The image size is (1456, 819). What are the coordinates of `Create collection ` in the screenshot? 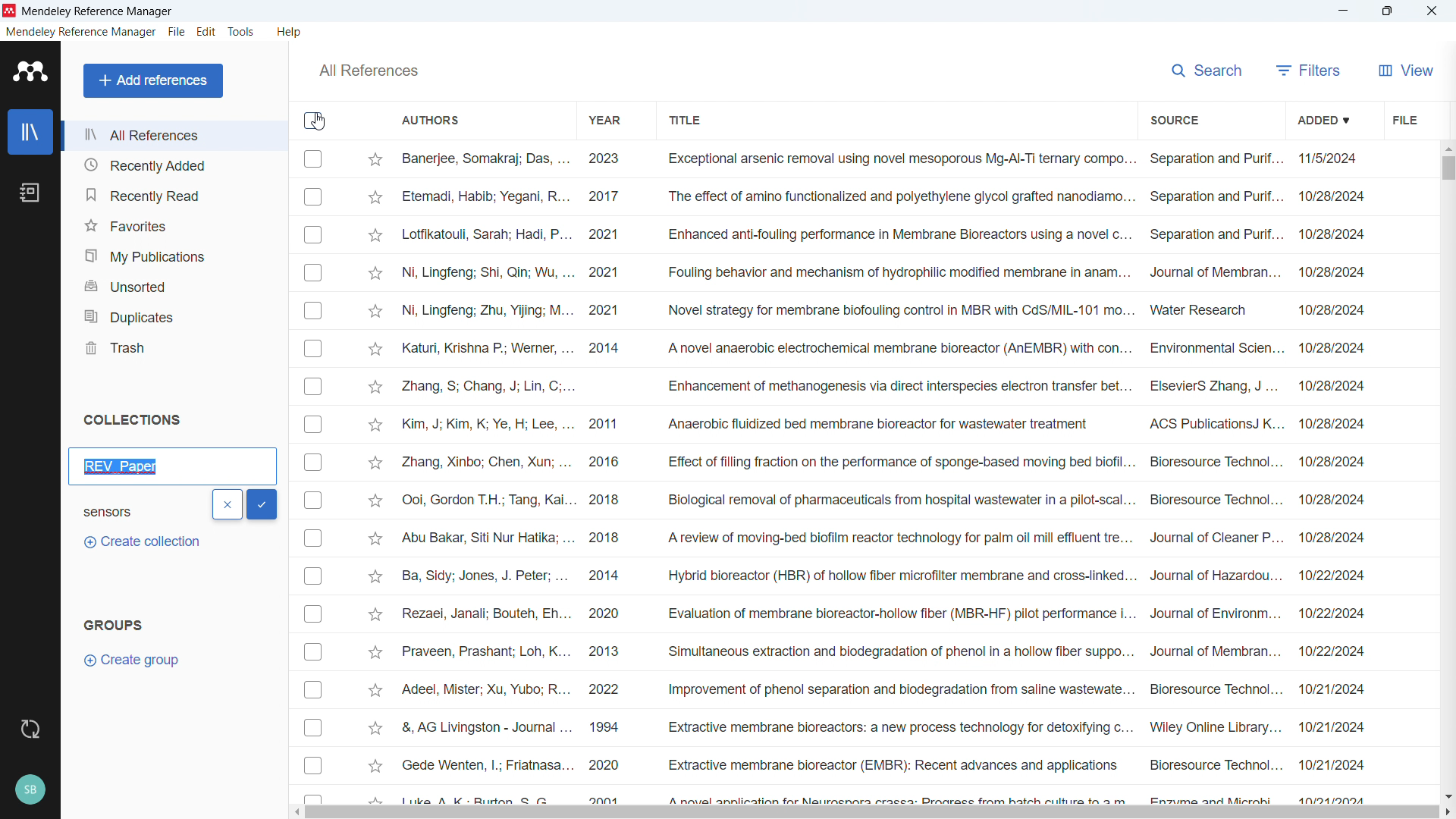 It's located at (140, 542).